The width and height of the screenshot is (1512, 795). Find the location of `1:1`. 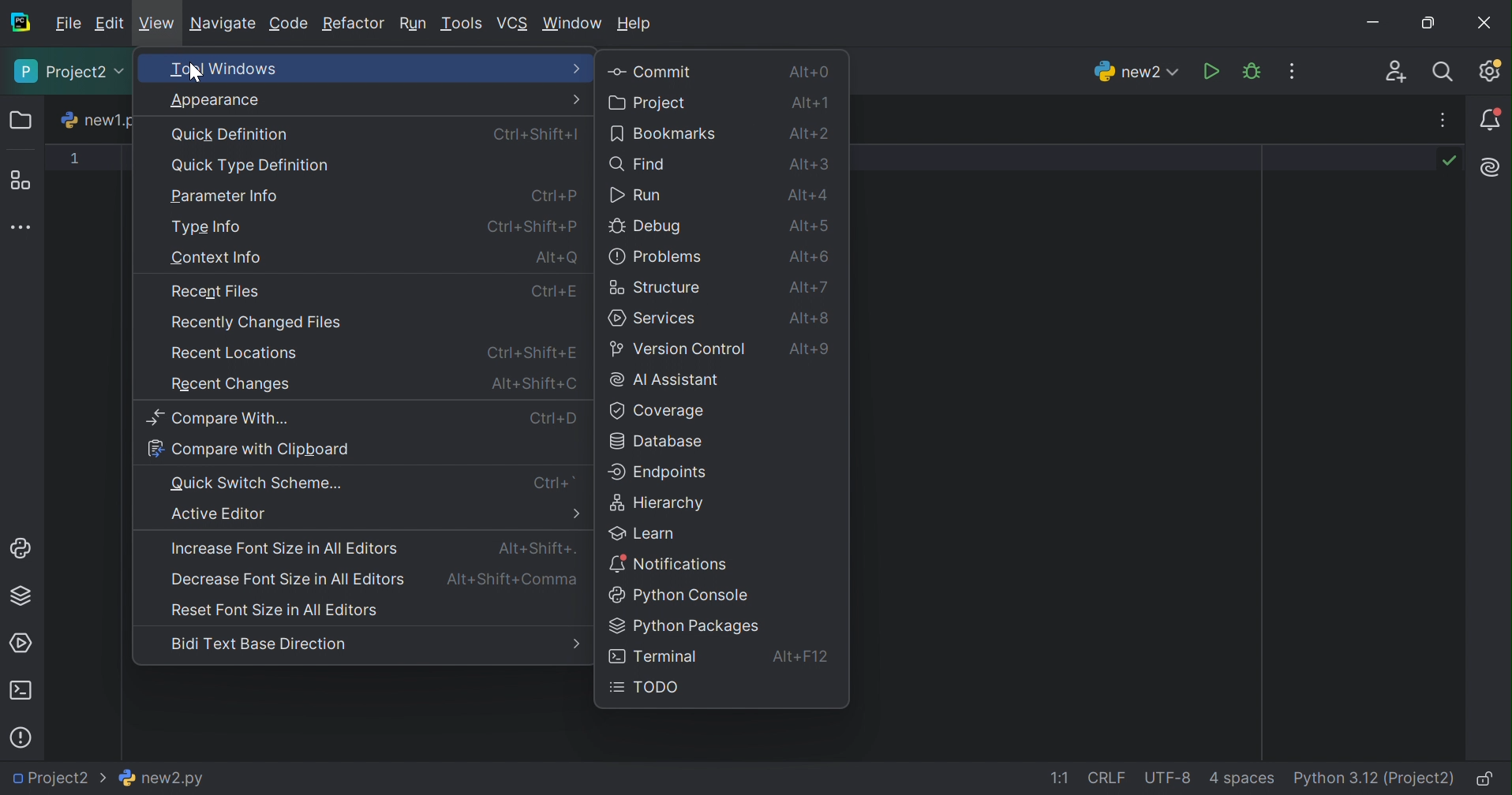

1:1 is located at coordinates (1061, 779).